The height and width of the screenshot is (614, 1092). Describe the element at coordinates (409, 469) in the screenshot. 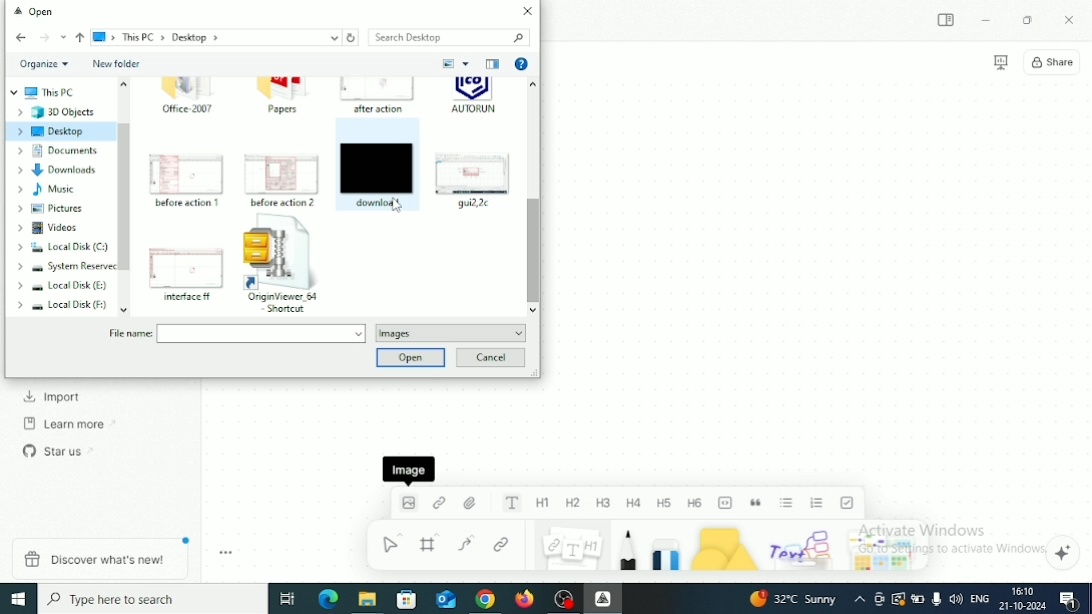

I see `Image` at that location.